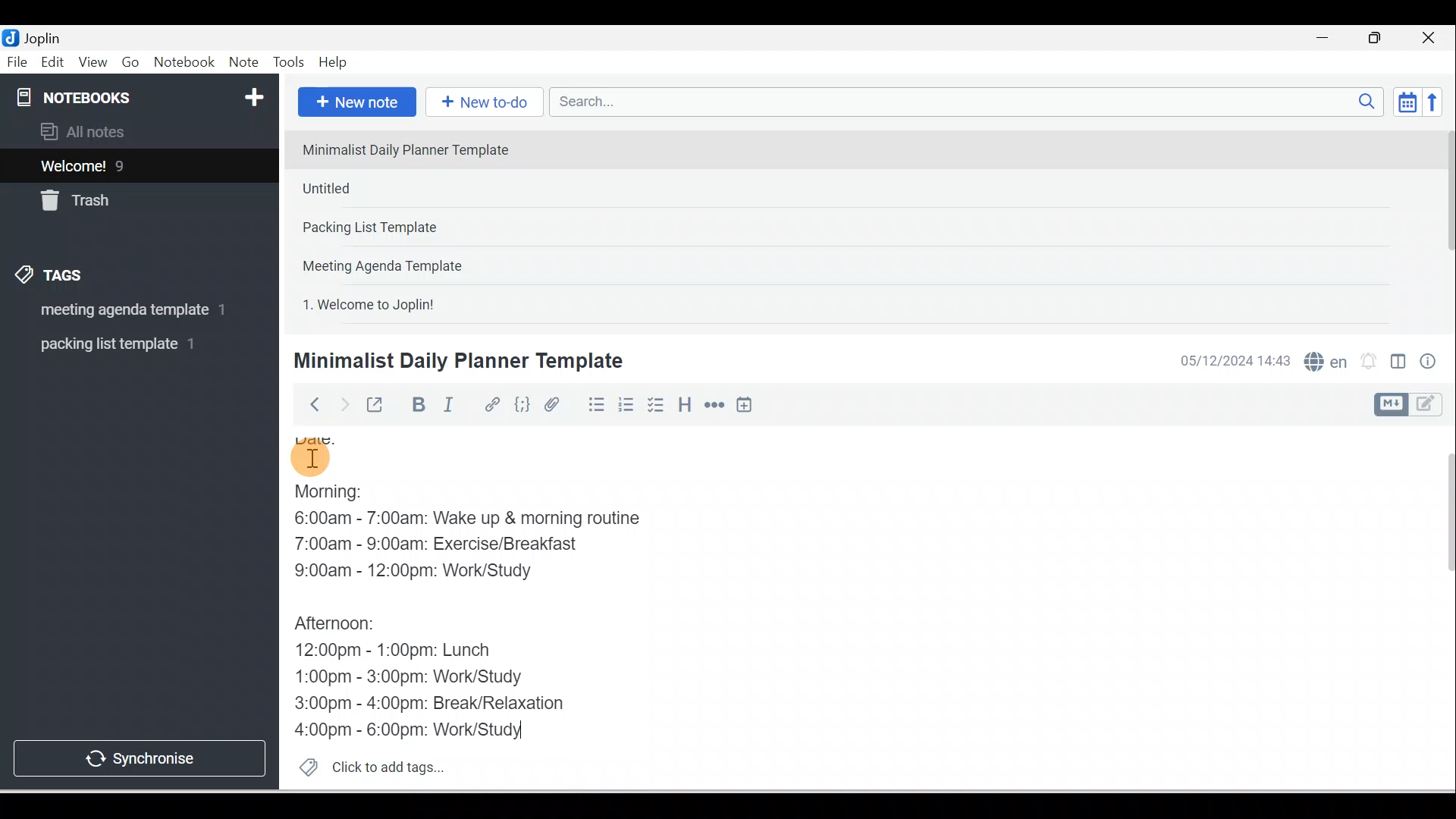 The height and width of the screenshot is (819, 1456). I want to click on Note, so click(242, 63).